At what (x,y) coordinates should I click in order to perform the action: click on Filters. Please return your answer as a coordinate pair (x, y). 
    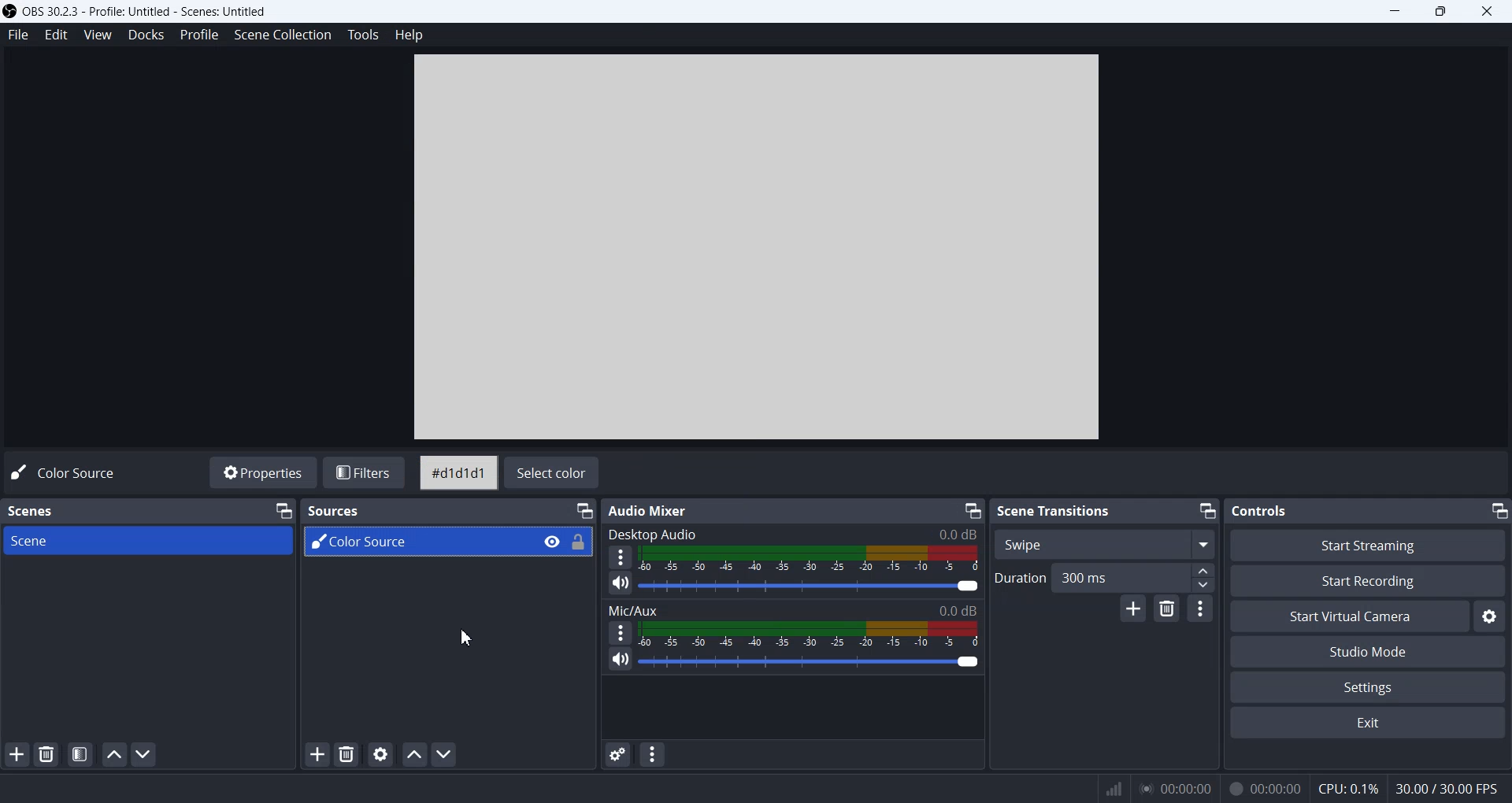
    Looking at the image, I should click on (365, 473).